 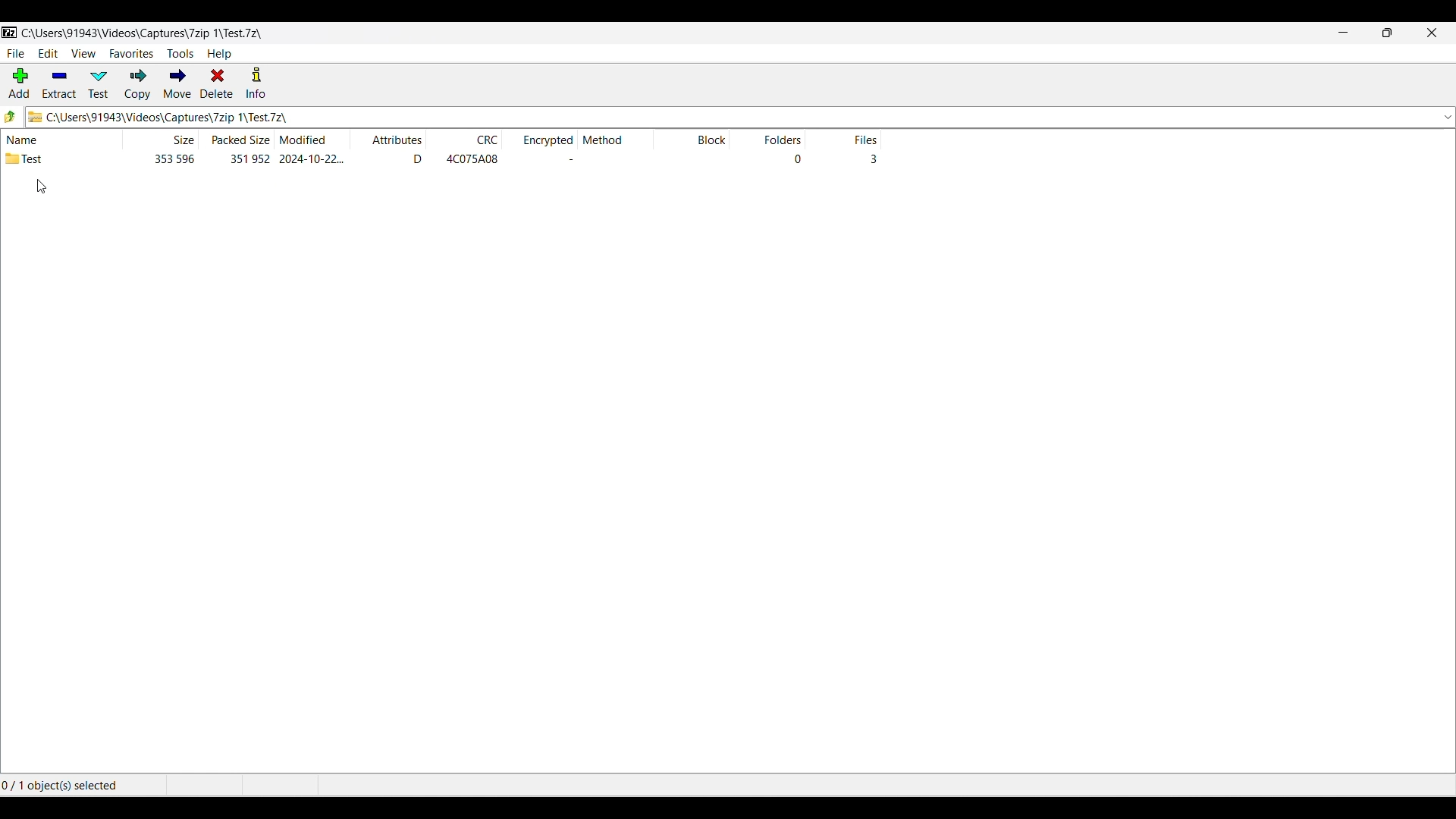 What do you see at coordinates (132, 54) in the screenshot?
I see `Favorites` at bounding box center [132, 54].